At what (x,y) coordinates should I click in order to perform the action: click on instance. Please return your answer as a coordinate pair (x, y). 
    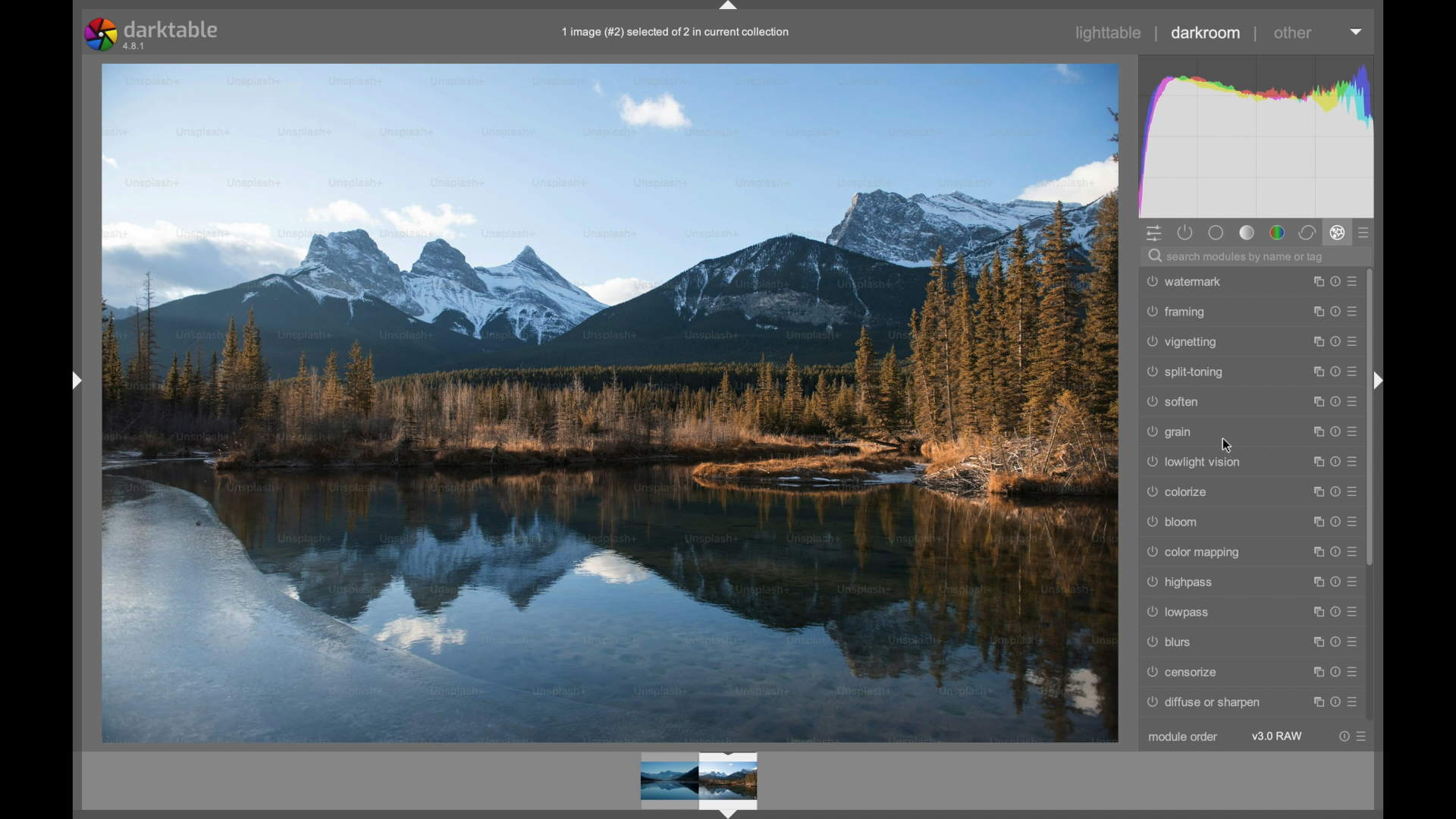
    Looking at the image, I should click on (1313, 491).